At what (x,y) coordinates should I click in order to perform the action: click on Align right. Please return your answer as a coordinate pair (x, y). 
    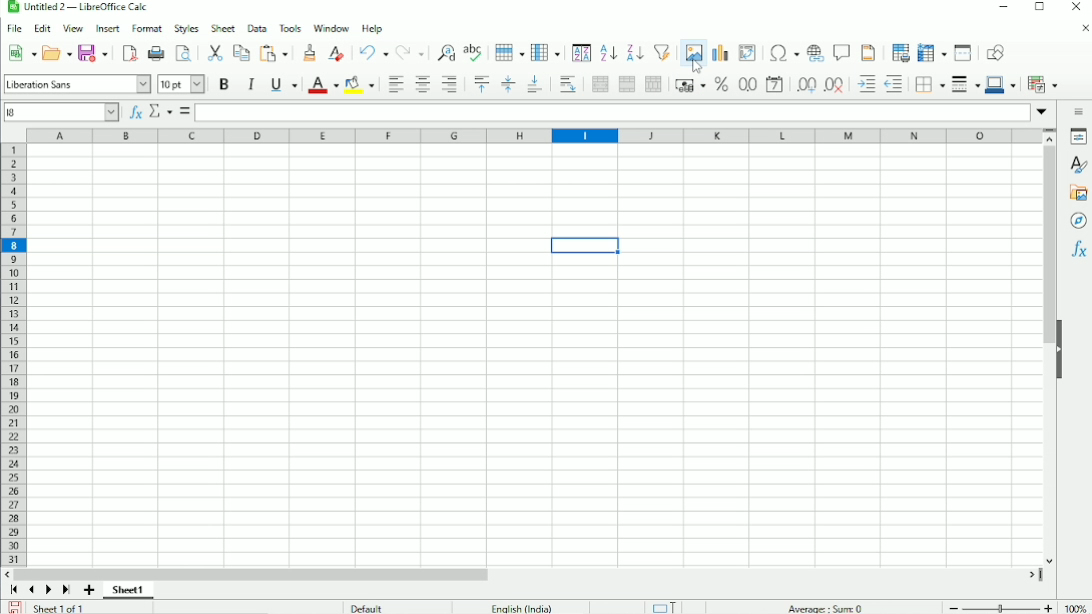
    Looking at the image, I should click on (451, 84).